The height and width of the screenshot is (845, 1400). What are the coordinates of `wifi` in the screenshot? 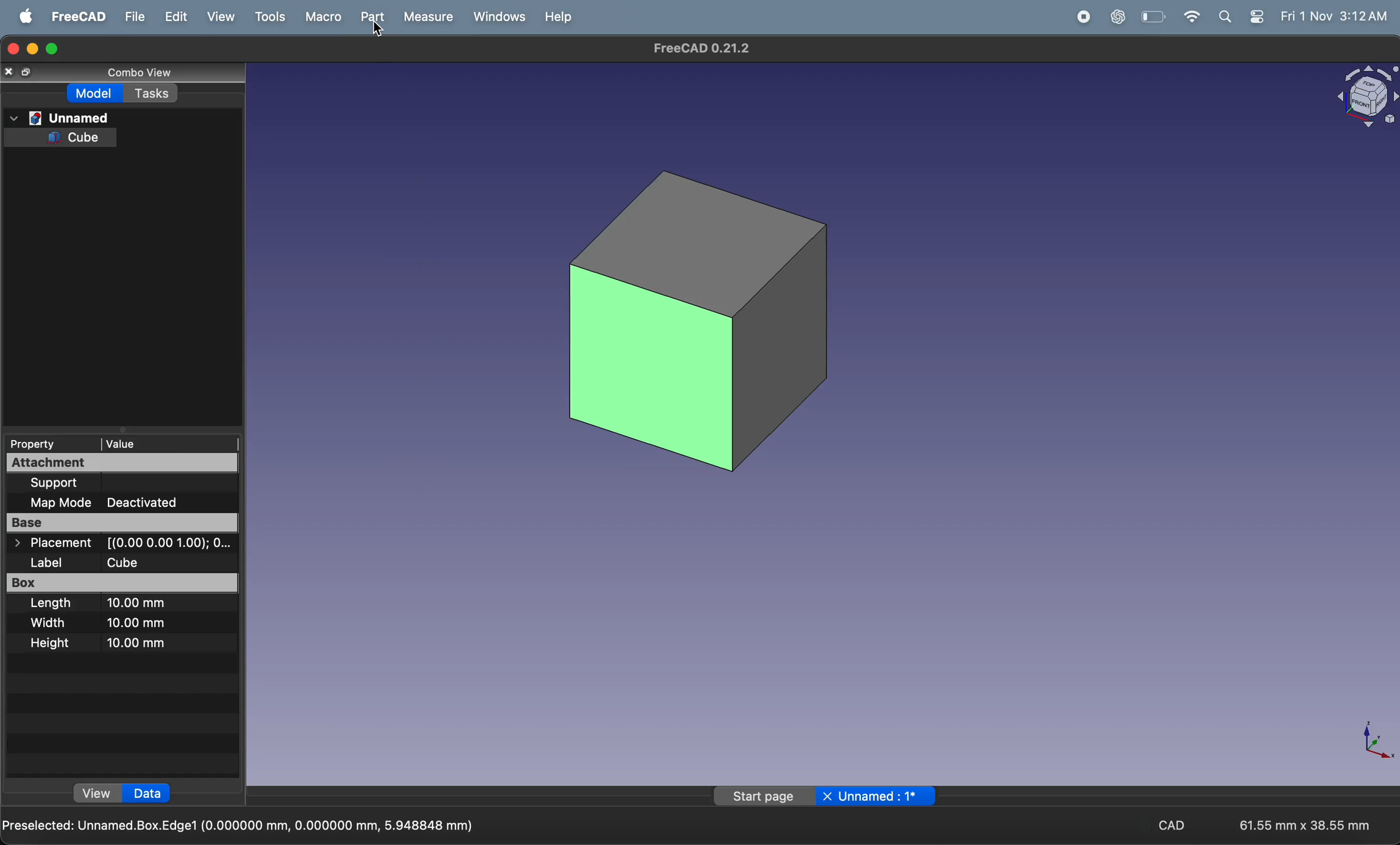 It's located at (1187, 16).